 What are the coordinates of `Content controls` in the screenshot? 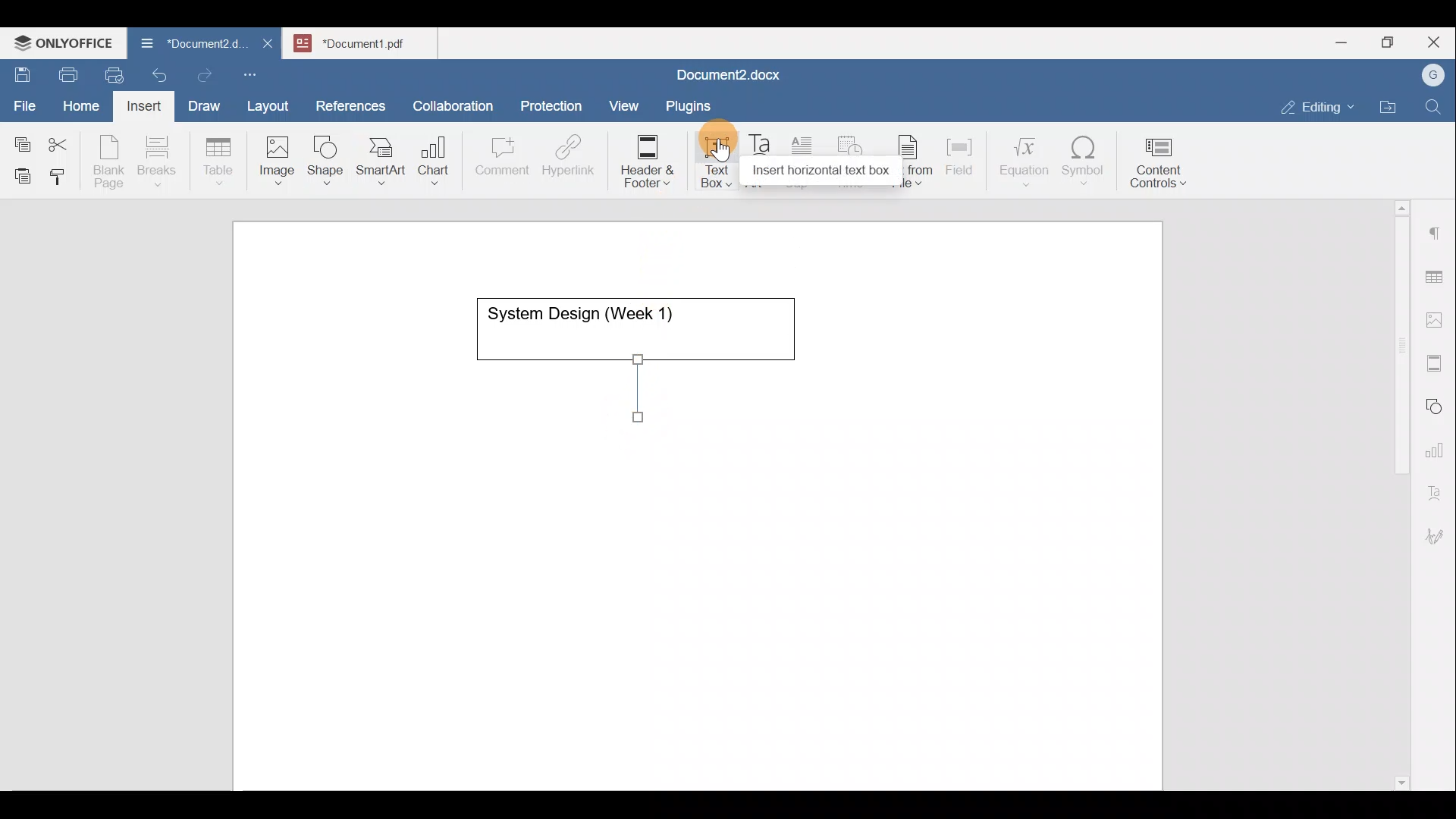 It's located at (1161, 168).